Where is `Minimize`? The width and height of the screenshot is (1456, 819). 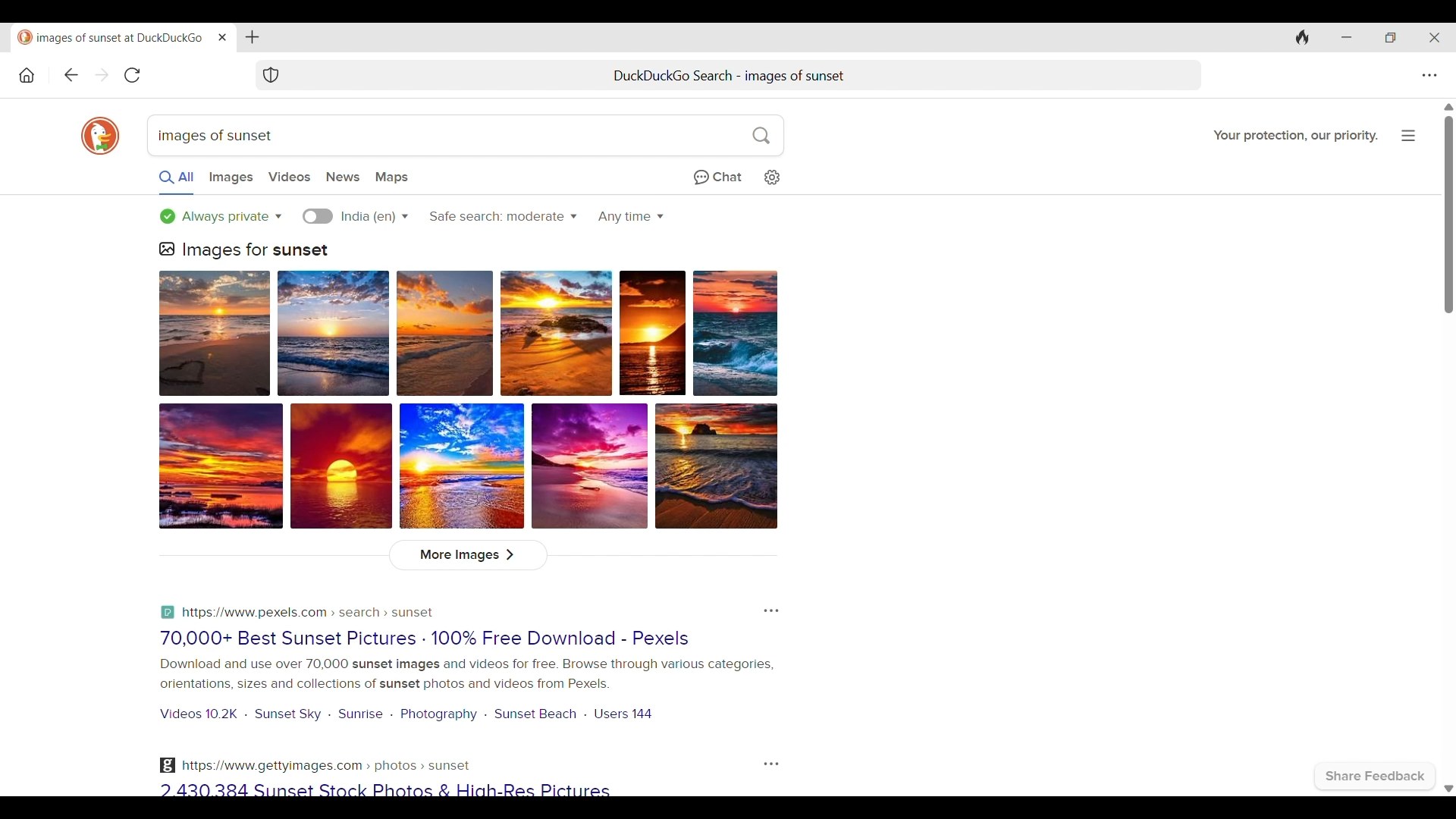
Minimize is located at coordinates (1347, 37).